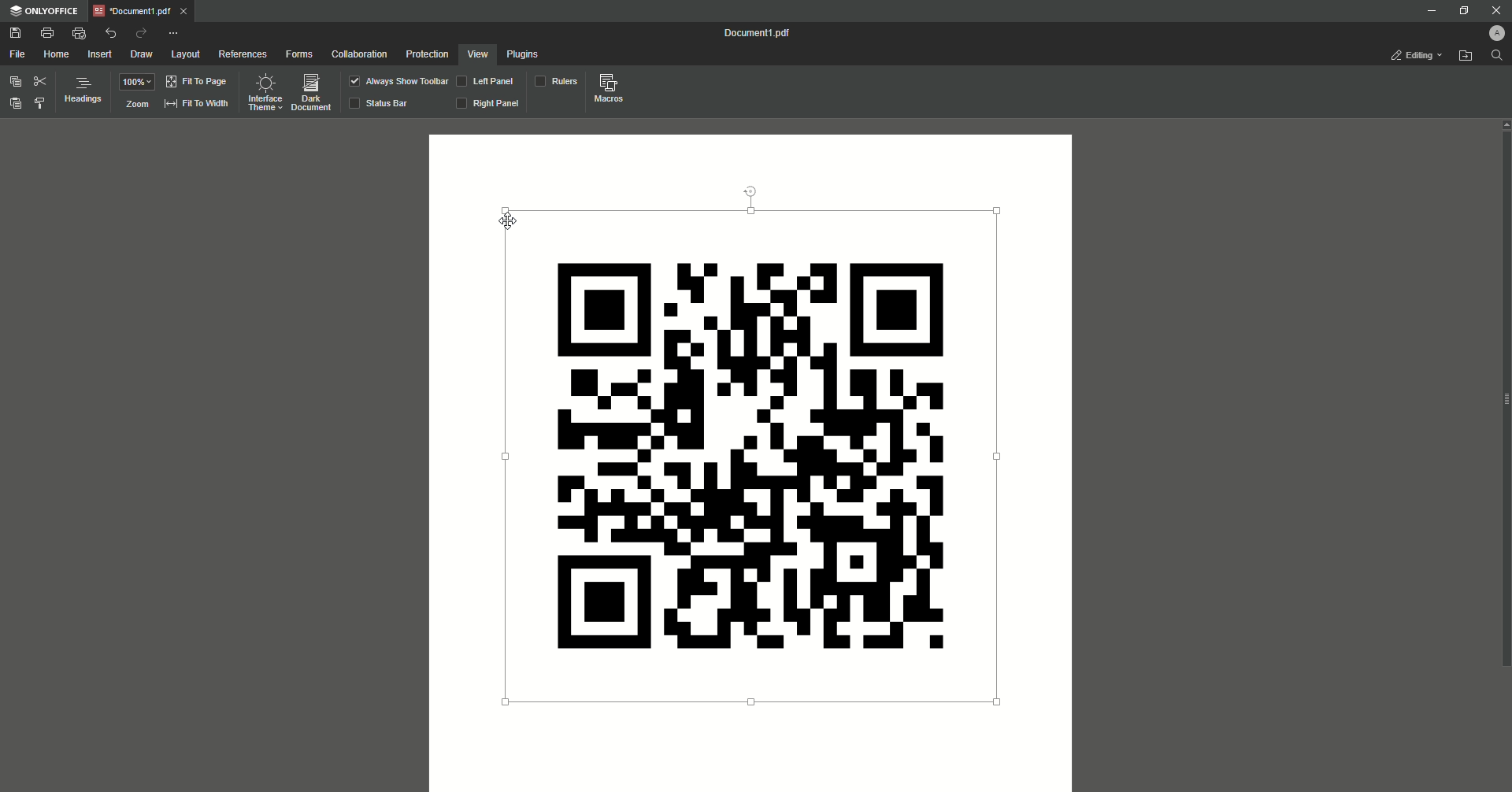 The width and height of the screenshot is (1512, 792). What do you see at coordinates (382, 102) in the screenshot?
I see `Status Bar` at bounding box center [382, 102].